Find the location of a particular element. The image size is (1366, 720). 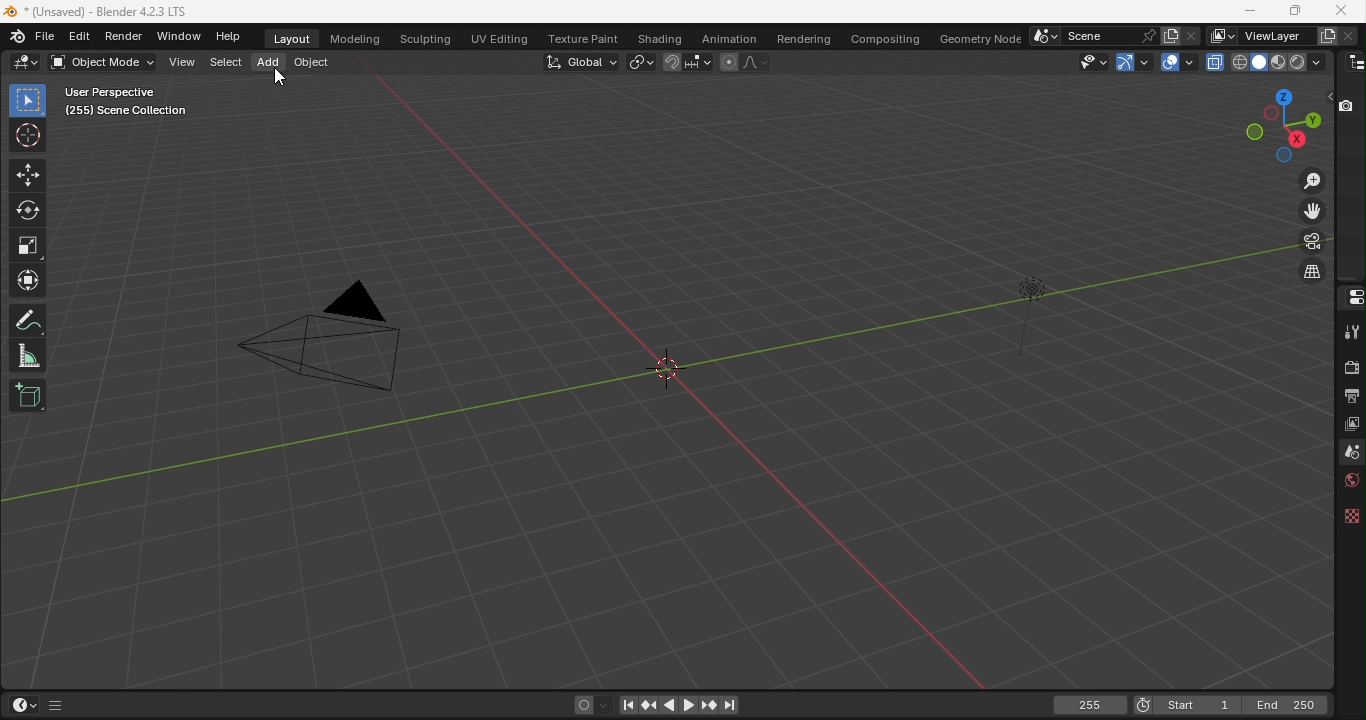

Toggle: Enable view navigation within the camera view is located at coordinates (1311, 272).